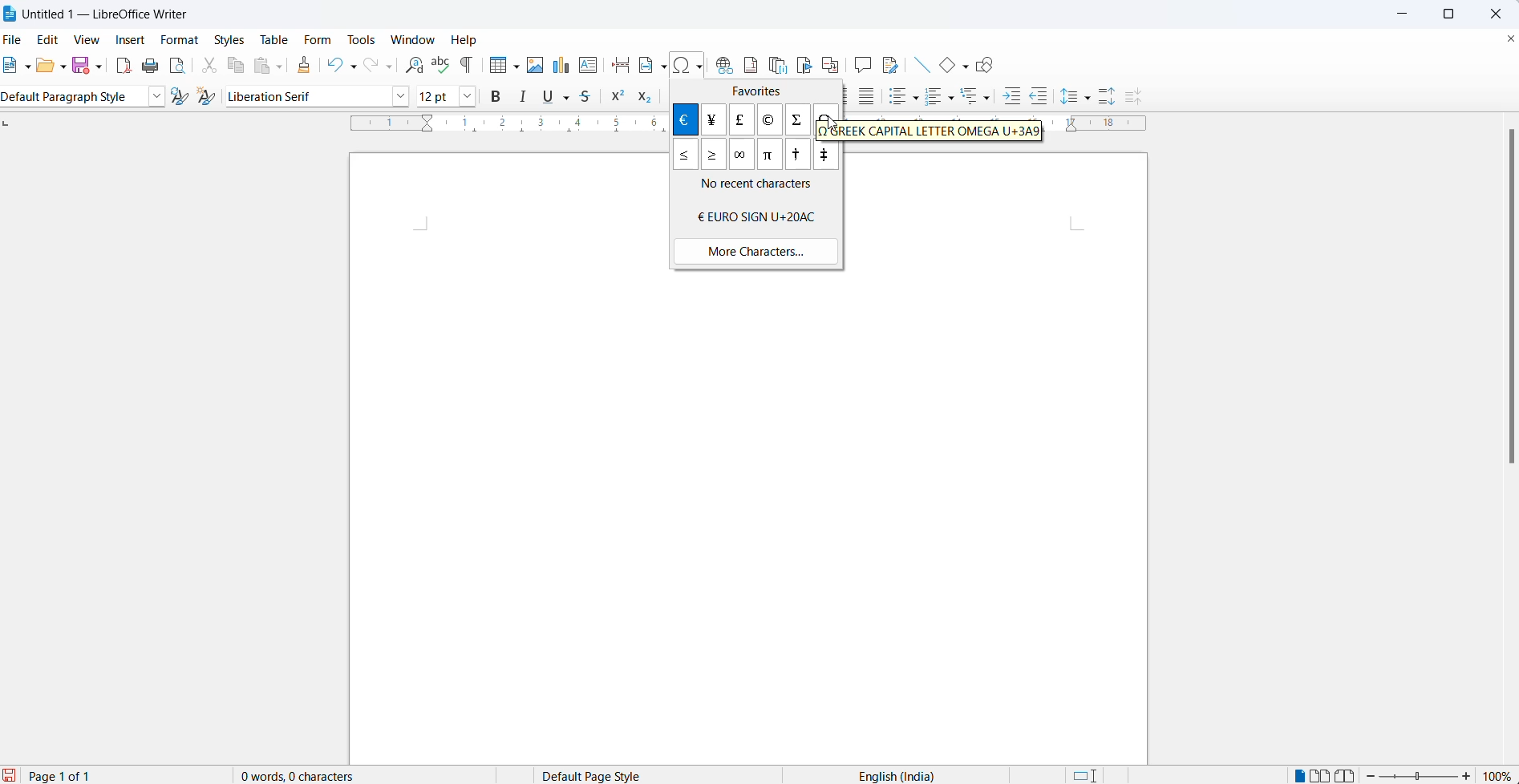  I want to click on maximize, so click(1456, 12).